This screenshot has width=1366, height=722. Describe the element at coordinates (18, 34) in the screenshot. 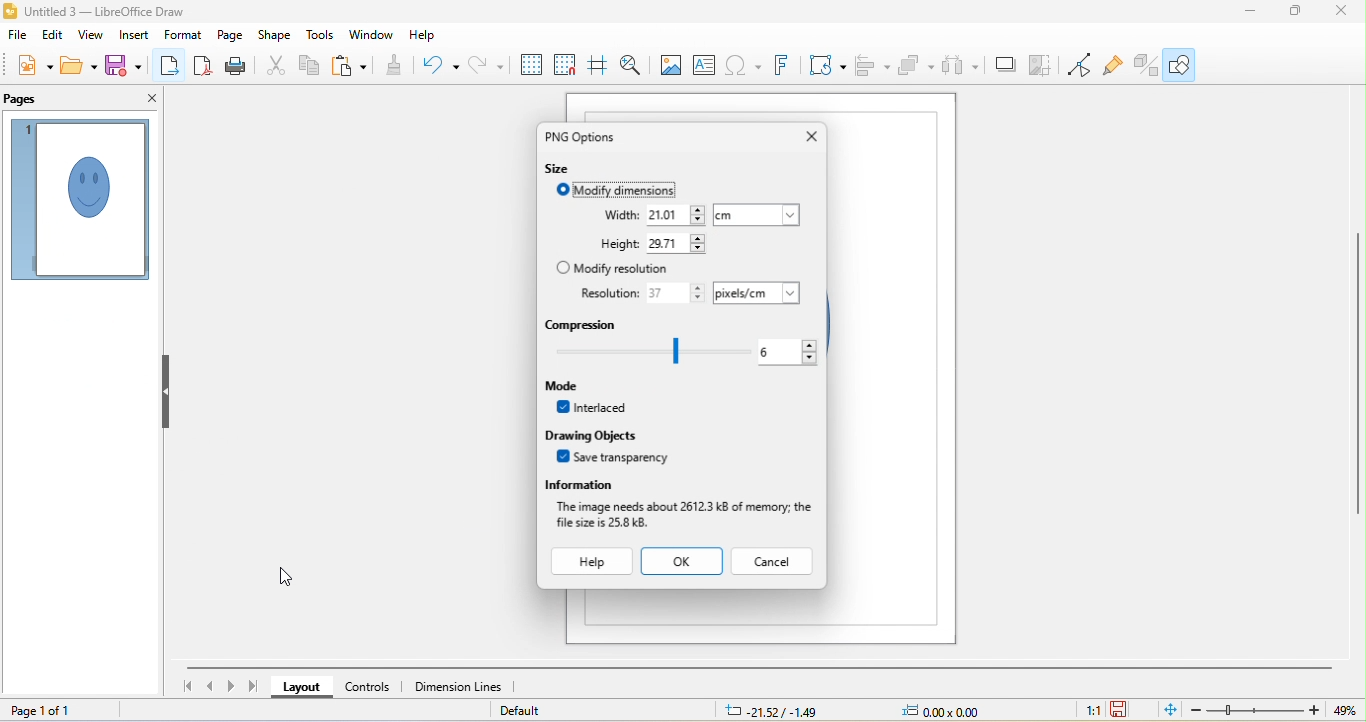

I see `file` at that location.